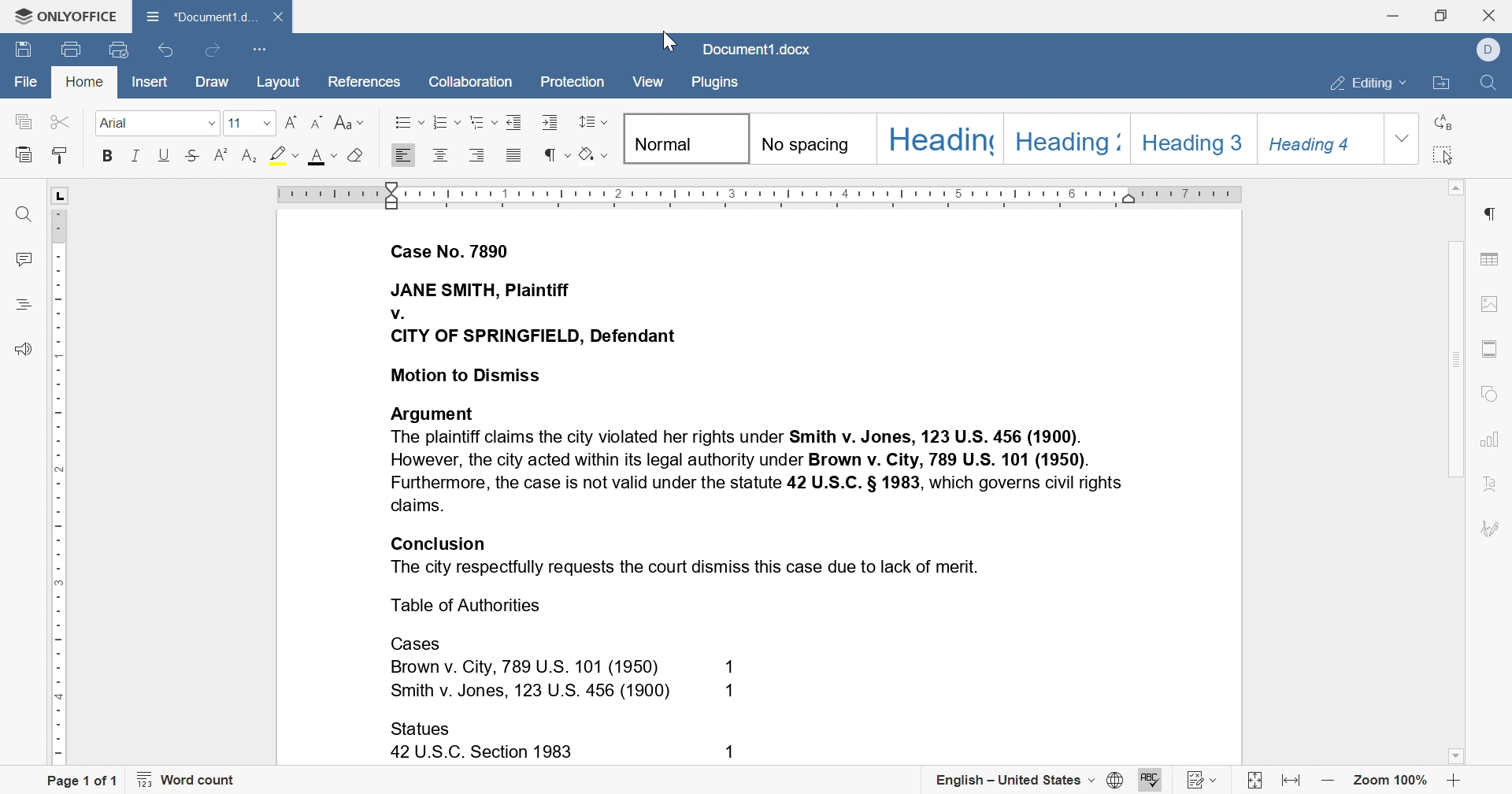 The height and width of the screenshot is (794, 1512). I want to click on increase indent, so click(552, 122).